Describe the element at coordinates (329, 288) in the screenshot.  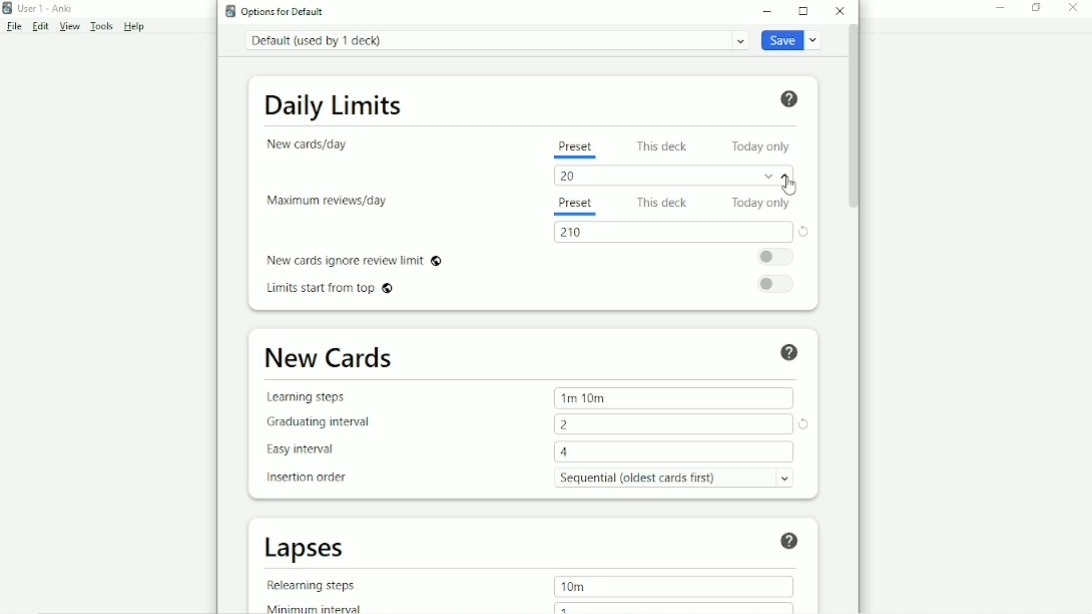
I see `Limits start from top` at that location.